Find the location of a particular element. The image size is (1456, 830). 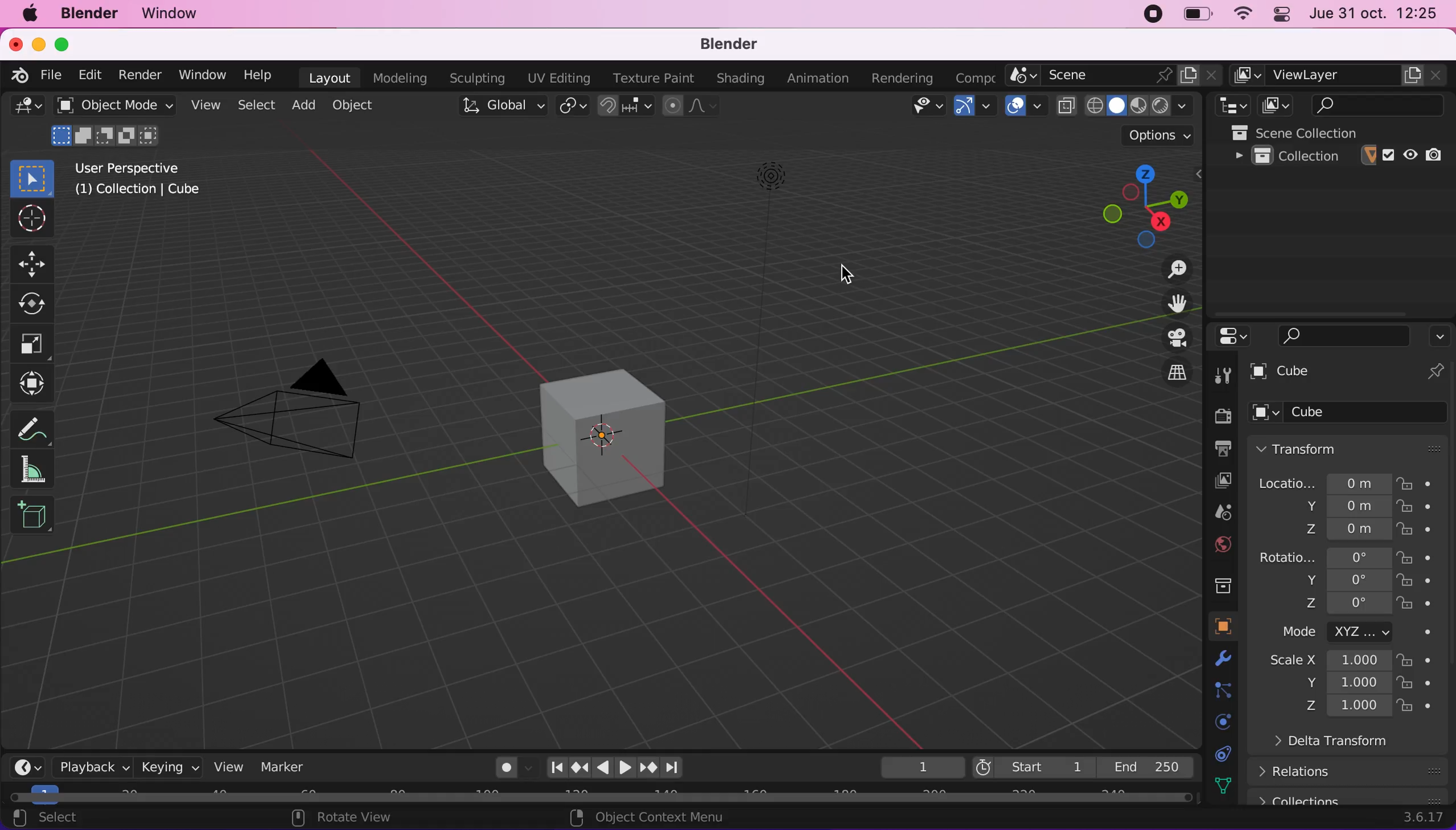

active workspace is located at coordinates (970, 78).